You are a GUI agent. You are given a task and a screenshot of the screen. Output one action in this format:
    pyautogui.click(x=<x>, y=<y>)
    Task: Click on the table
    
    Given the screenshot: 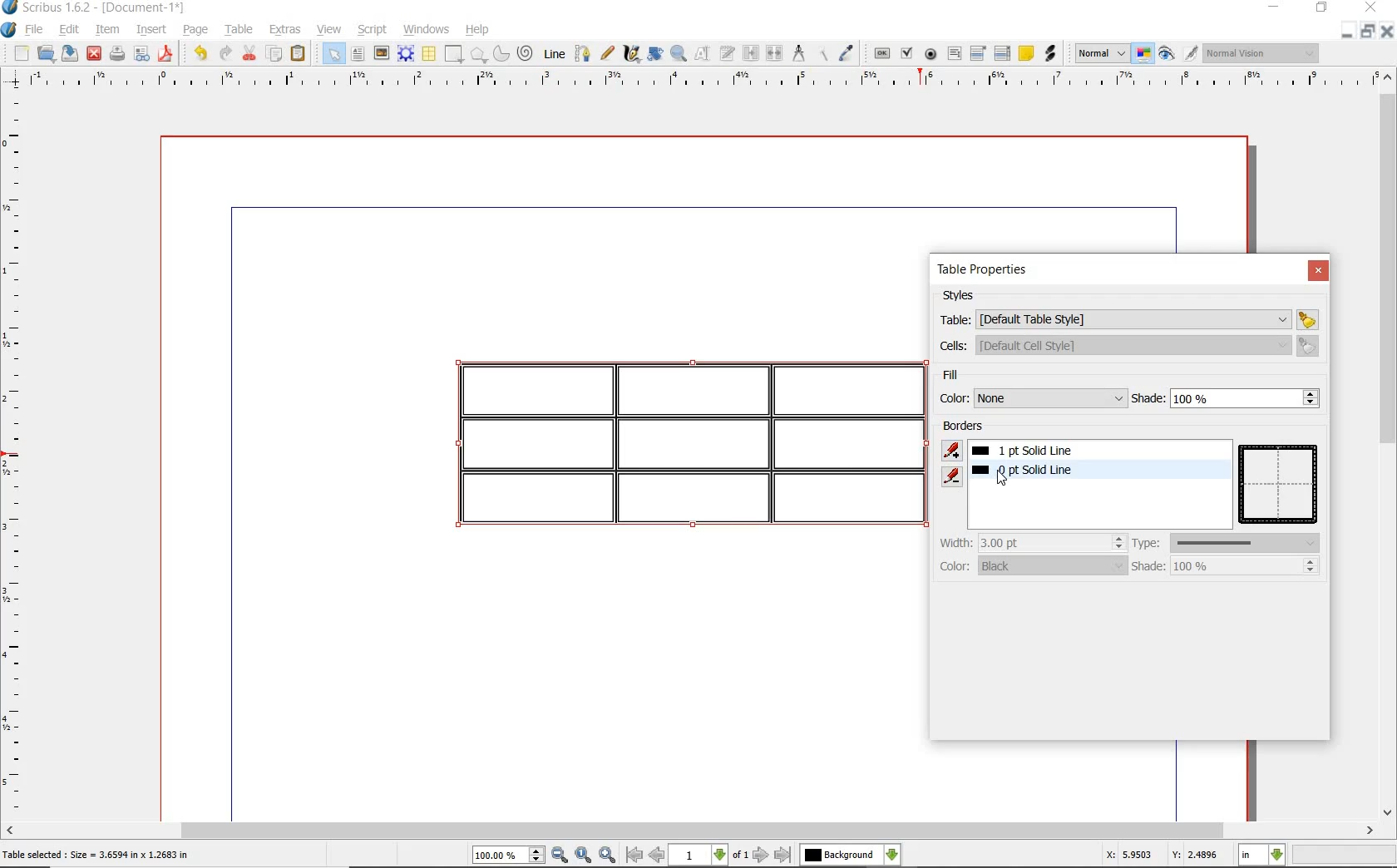 What is the action you would take?
    pyautogui.click(x=239, y=30)
    